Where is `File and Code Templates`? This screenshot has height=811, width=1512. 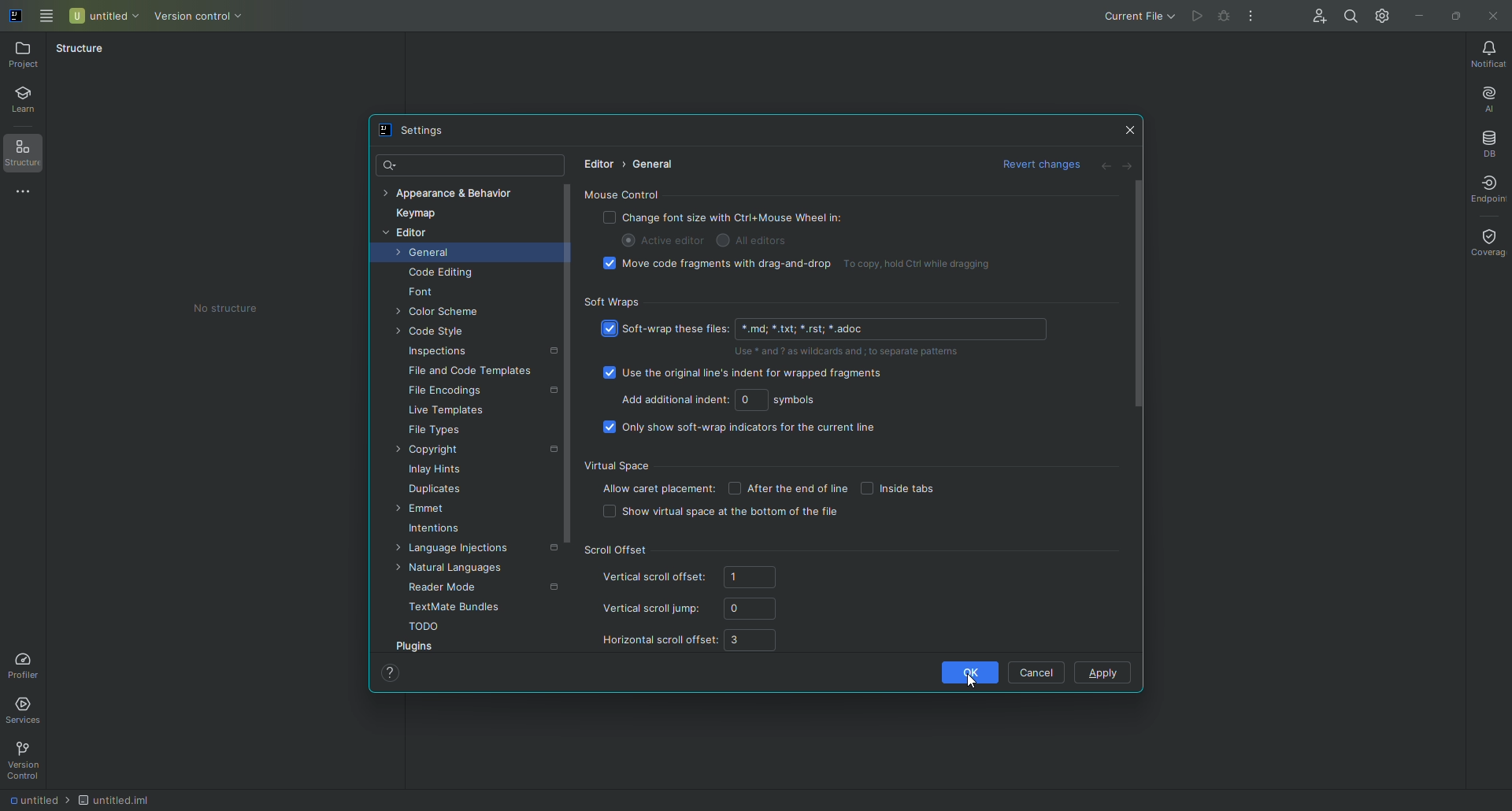
File and Code Templates is located at coordinates (471, 372).